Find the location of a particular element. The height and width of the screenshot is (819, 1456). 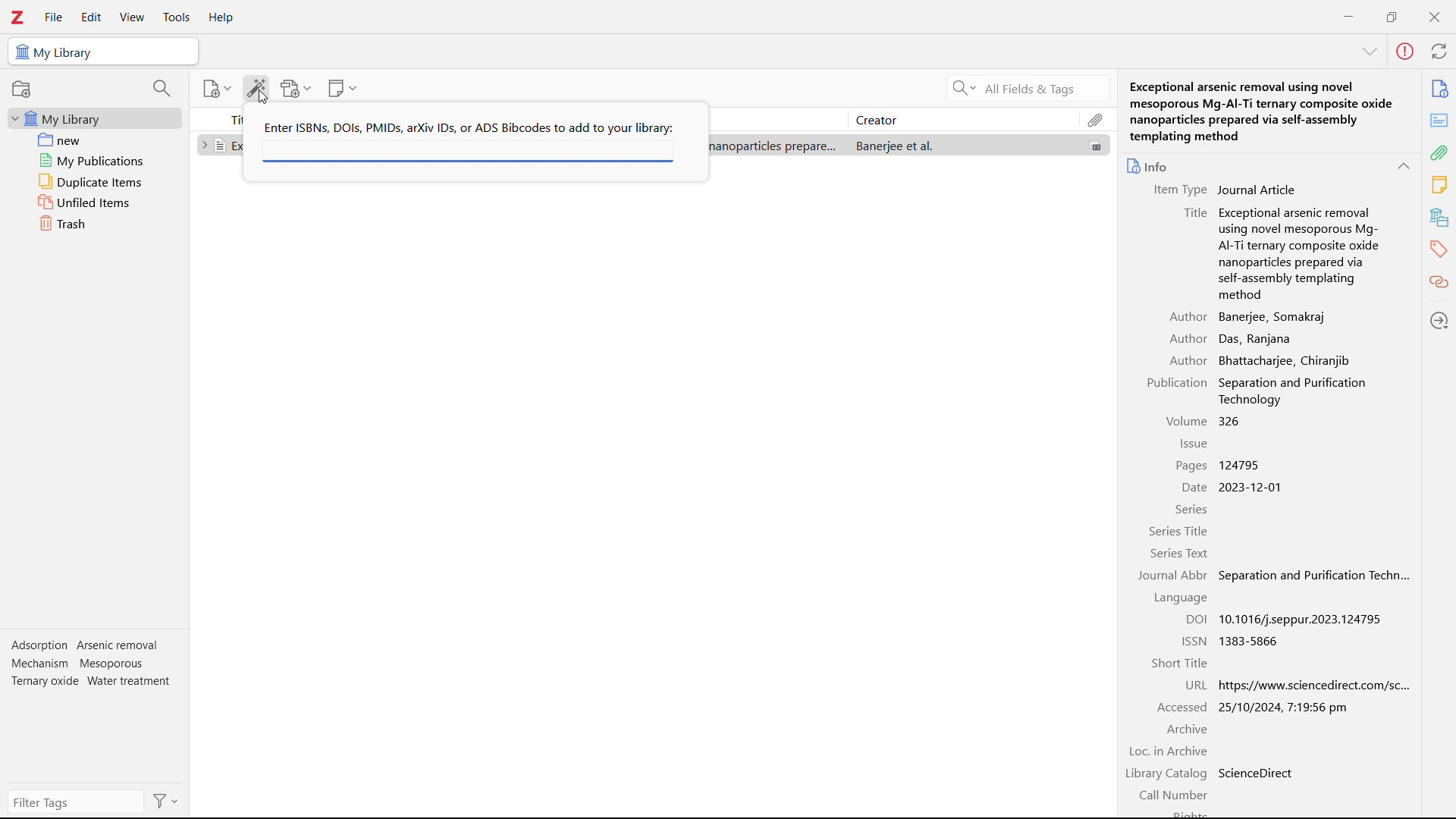

title is located at coordinates (1194, 212).